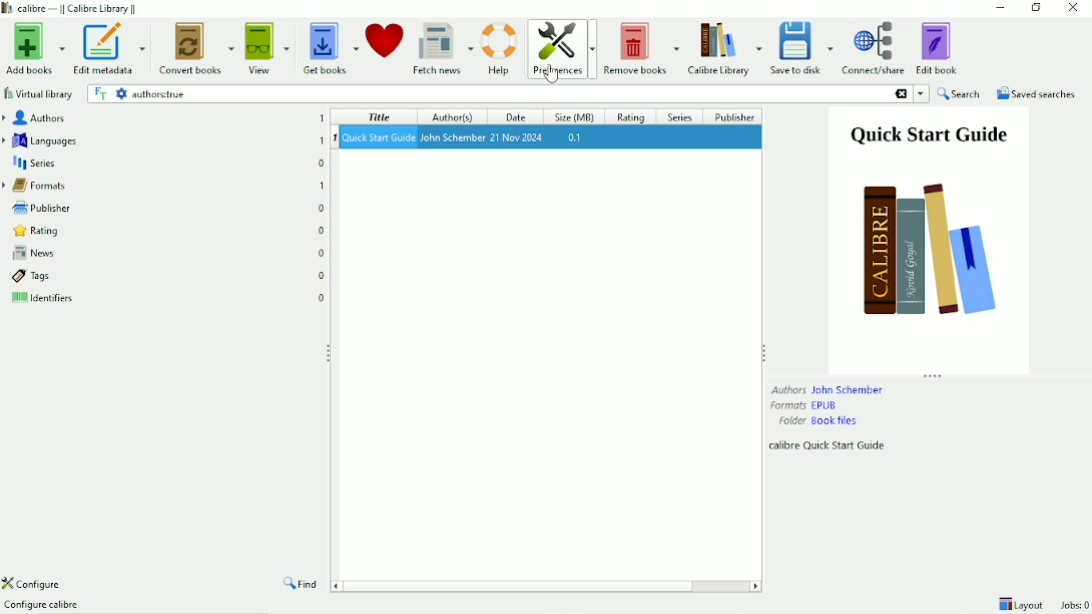  I want to click on Resize, so click(764, 355).